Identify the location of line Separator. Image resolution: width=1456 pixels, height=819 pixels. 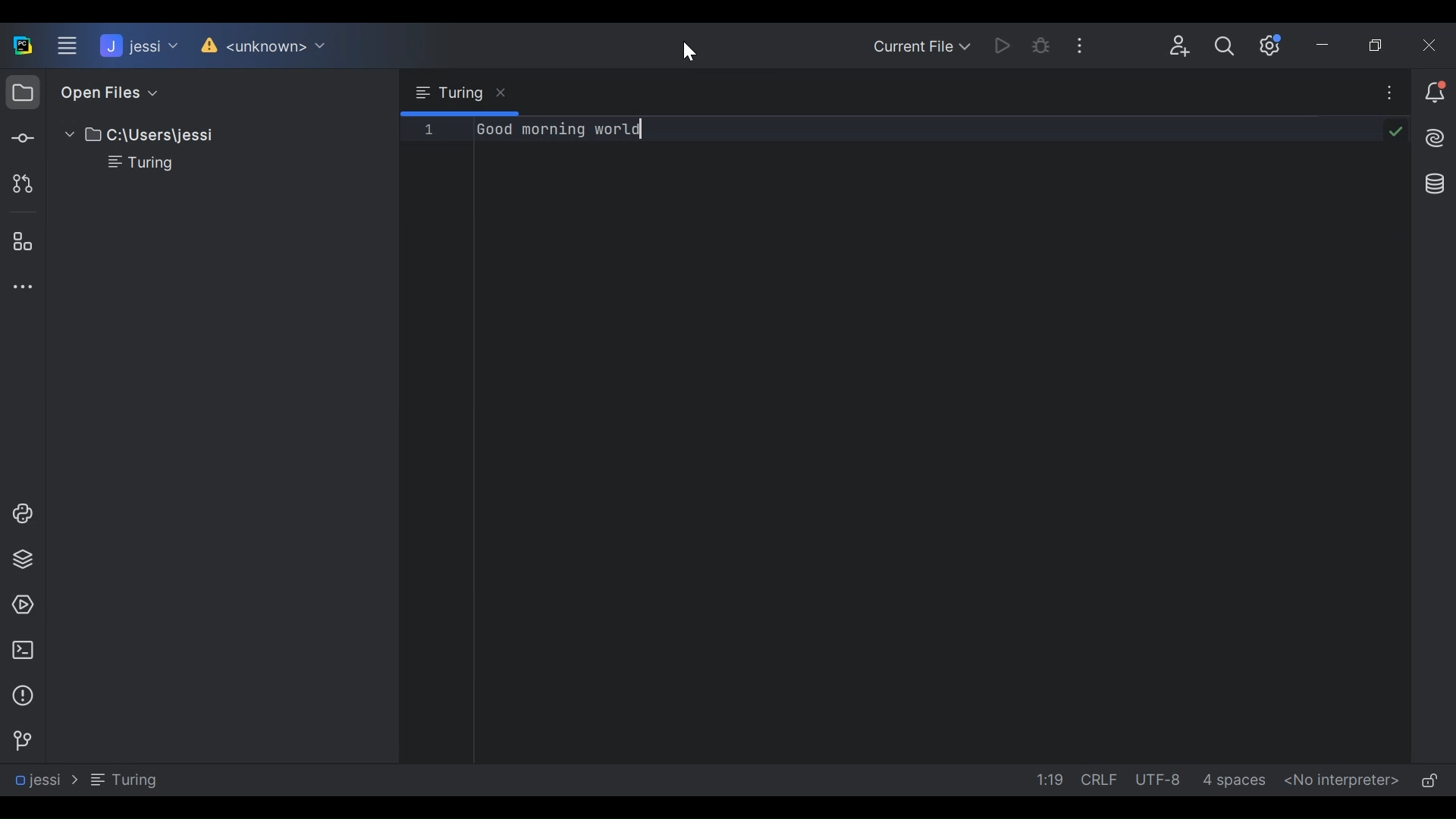
(1103, 780).